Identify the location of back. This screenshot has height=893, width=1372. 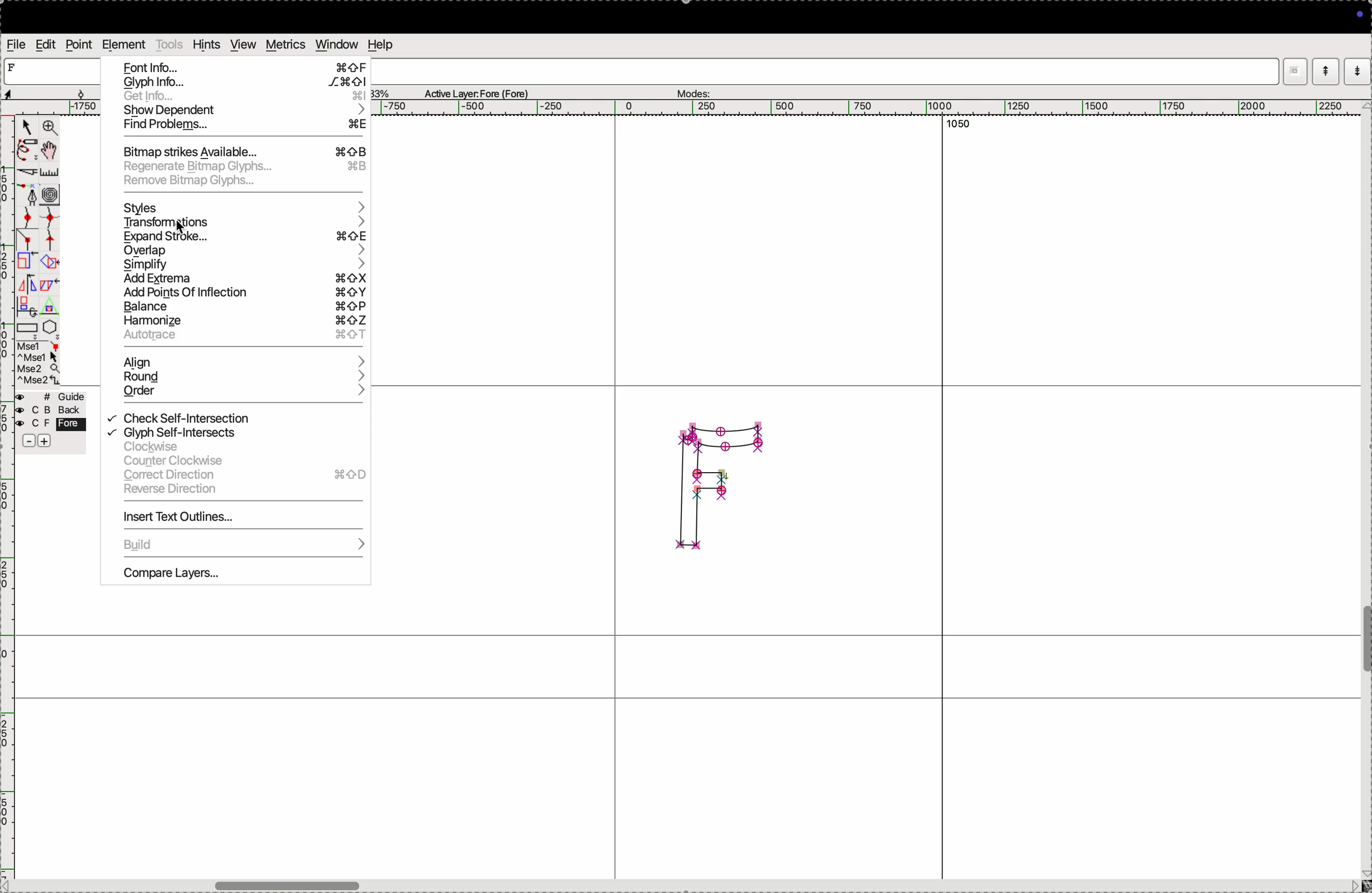
(47, 411).